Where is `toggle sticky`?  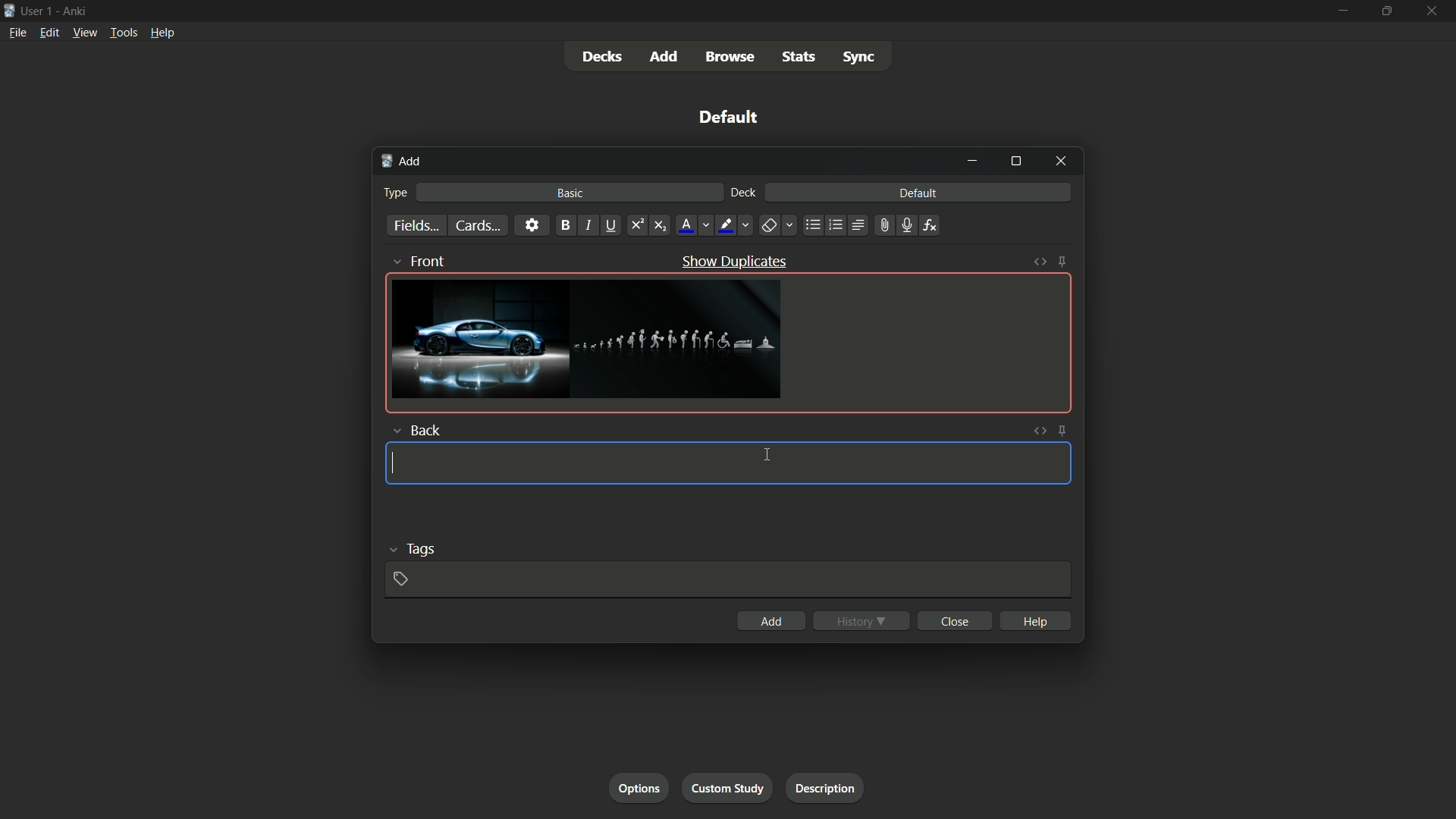 toggle sticky is located at coordinates (1064, 430).